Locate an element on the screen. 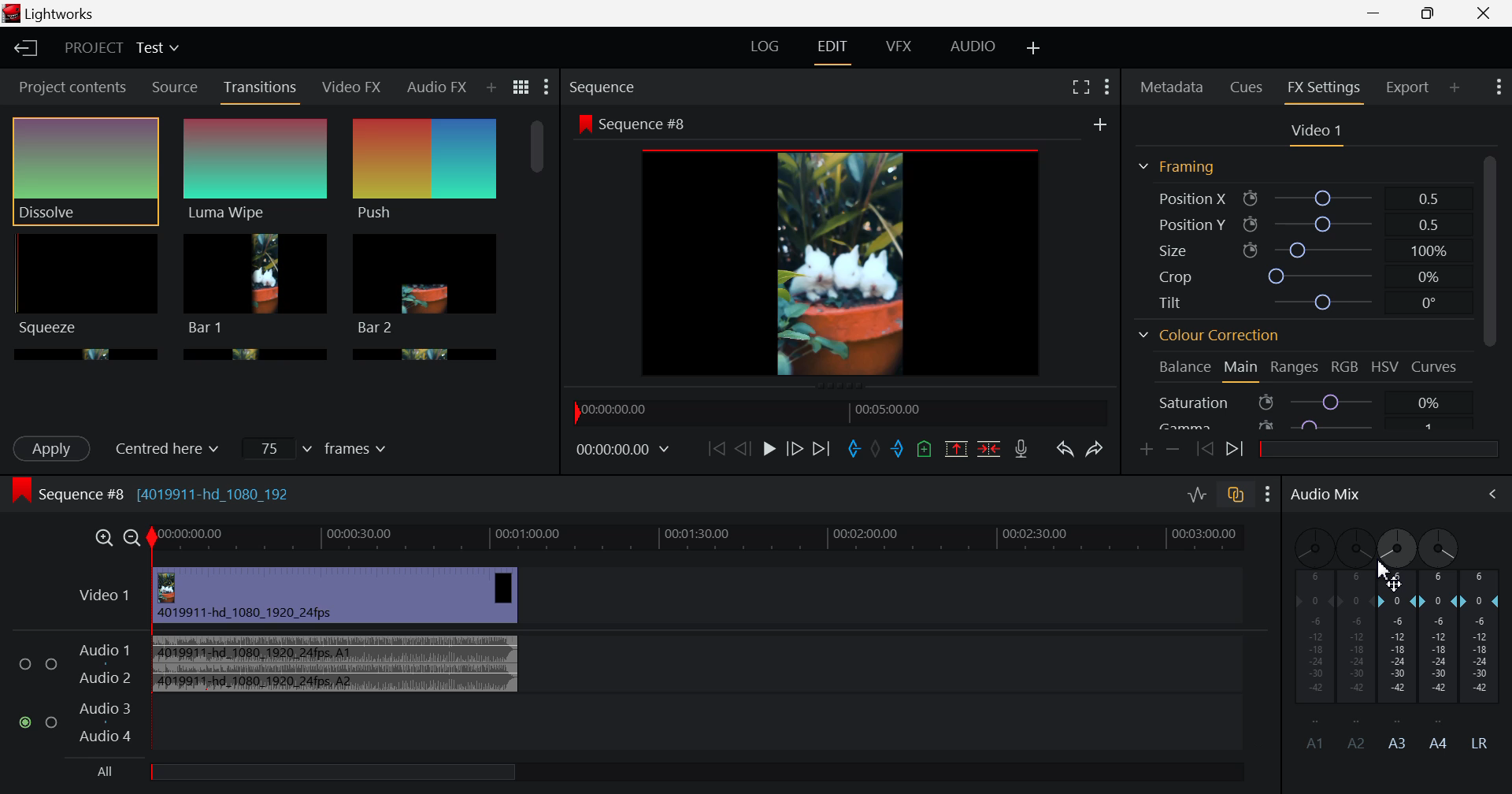 This screenshot has width=1512, height=794. Squeeze is located at coordinates (84, 284).